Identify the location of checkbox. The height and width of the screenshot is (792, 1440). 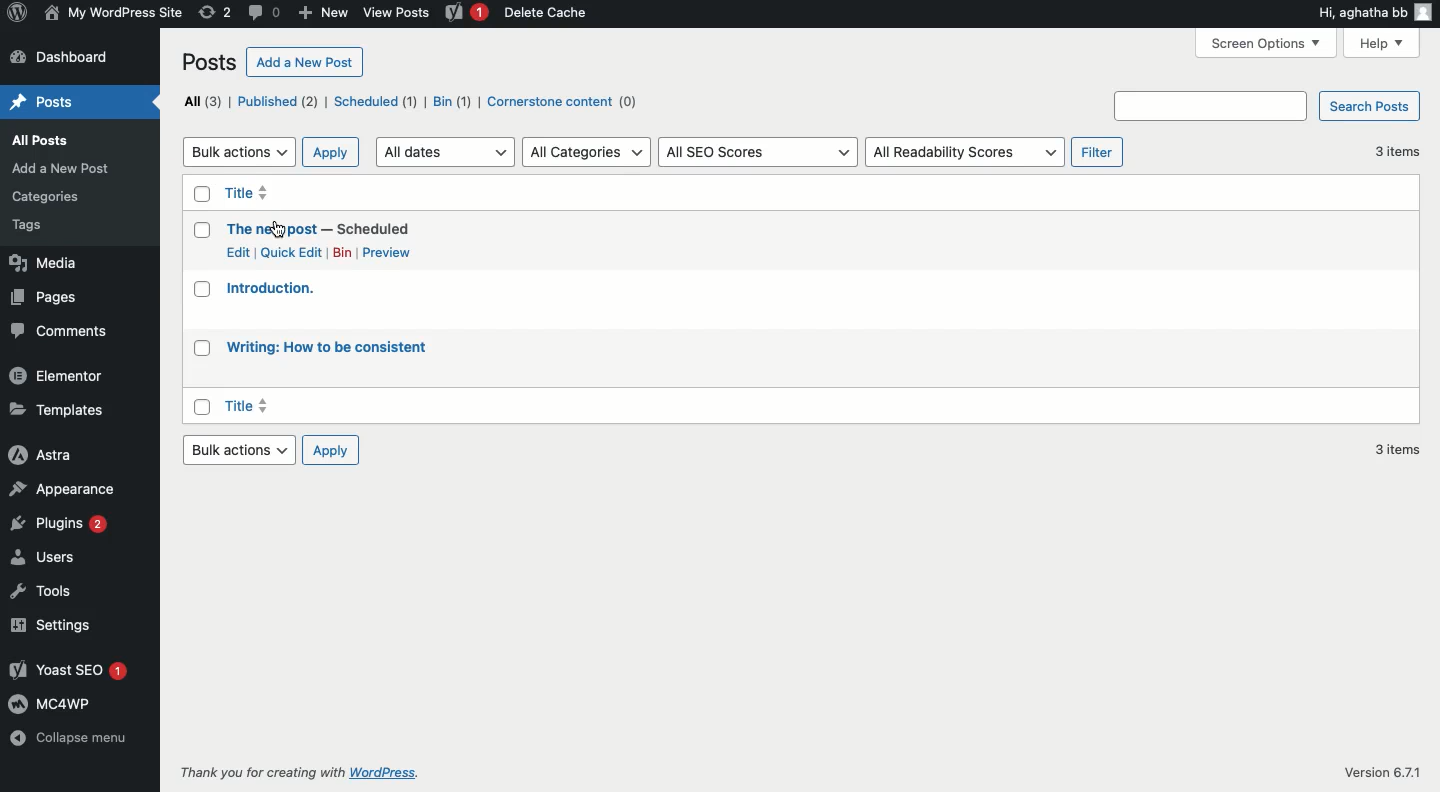
(202, 289).